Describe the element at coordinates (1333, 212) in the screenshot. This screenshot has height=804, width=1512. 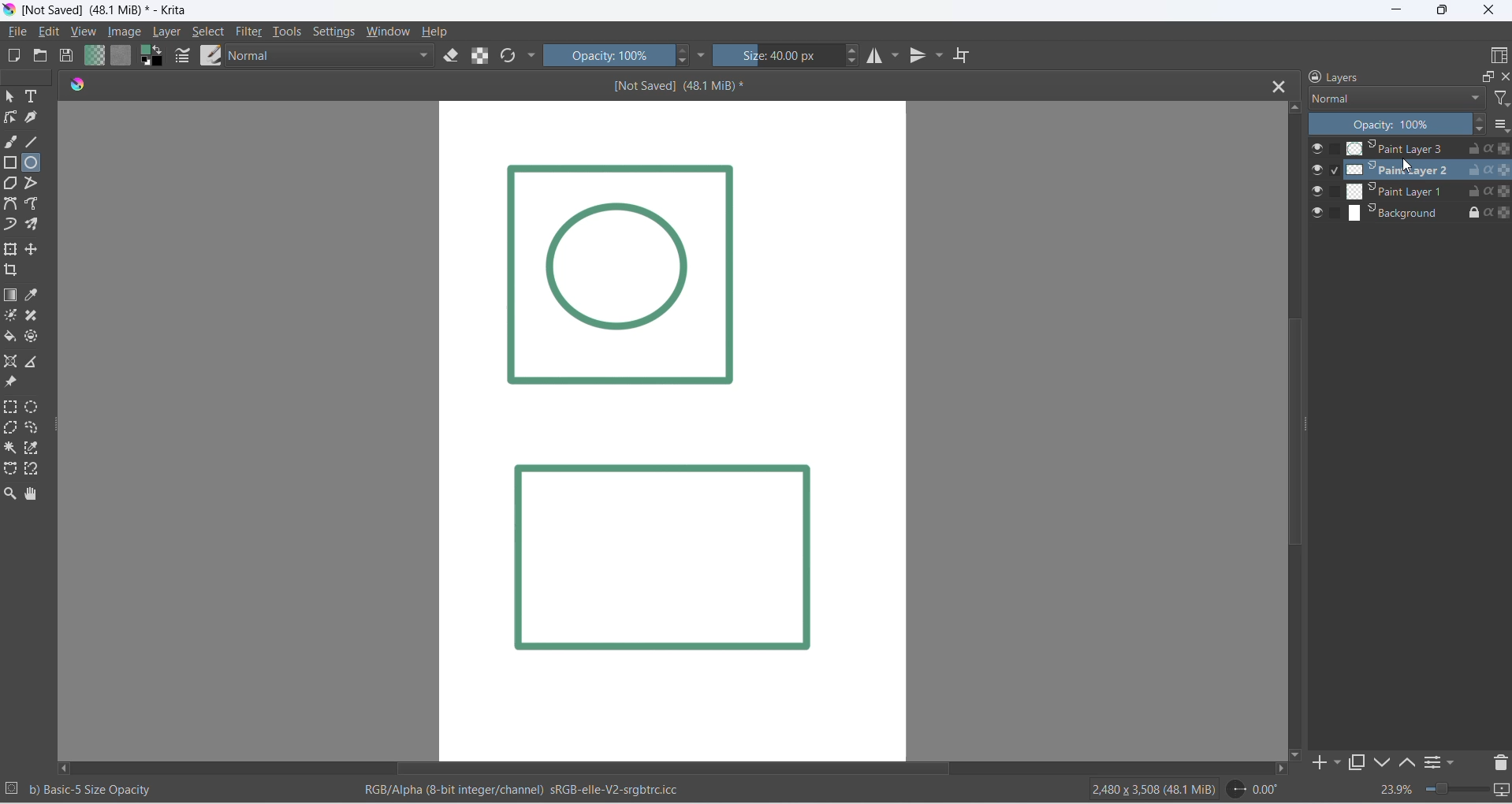
I see `checkbox` at that location.